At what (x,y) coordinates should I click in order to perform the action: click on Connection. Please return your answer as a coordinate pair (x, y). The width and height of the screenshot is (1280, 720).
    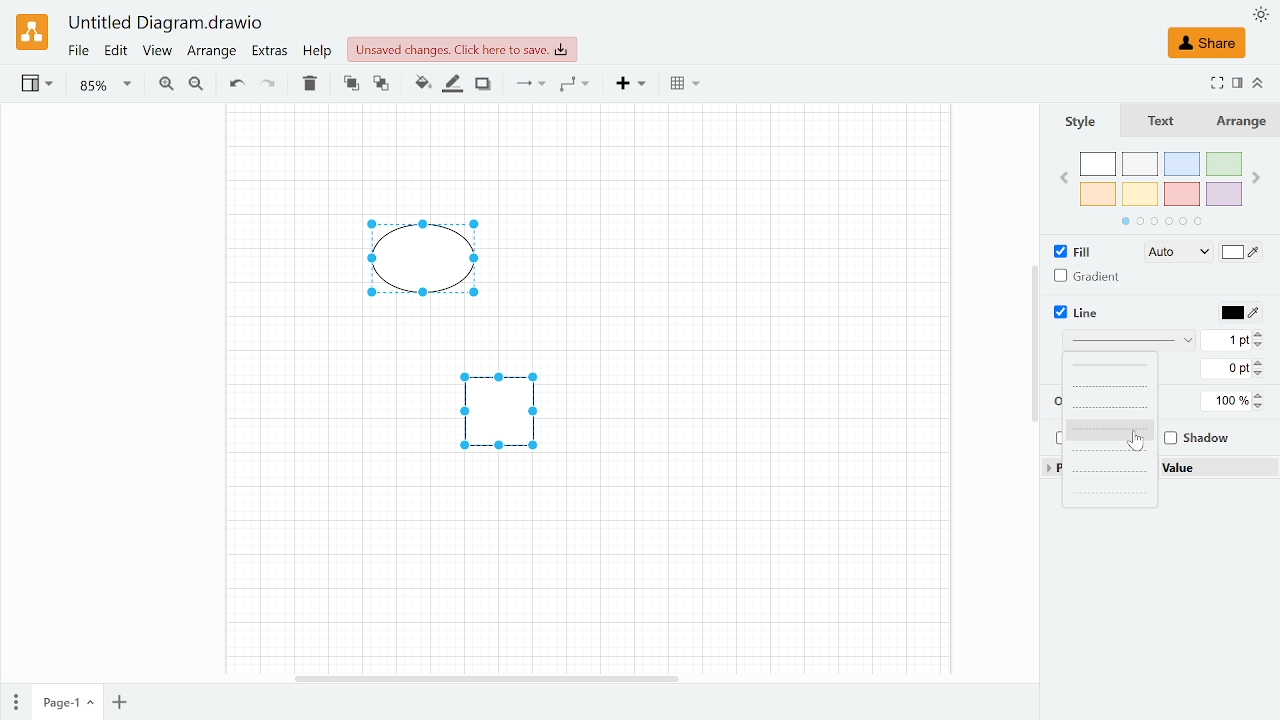
    Looking at the image, I should click on (529, 85).